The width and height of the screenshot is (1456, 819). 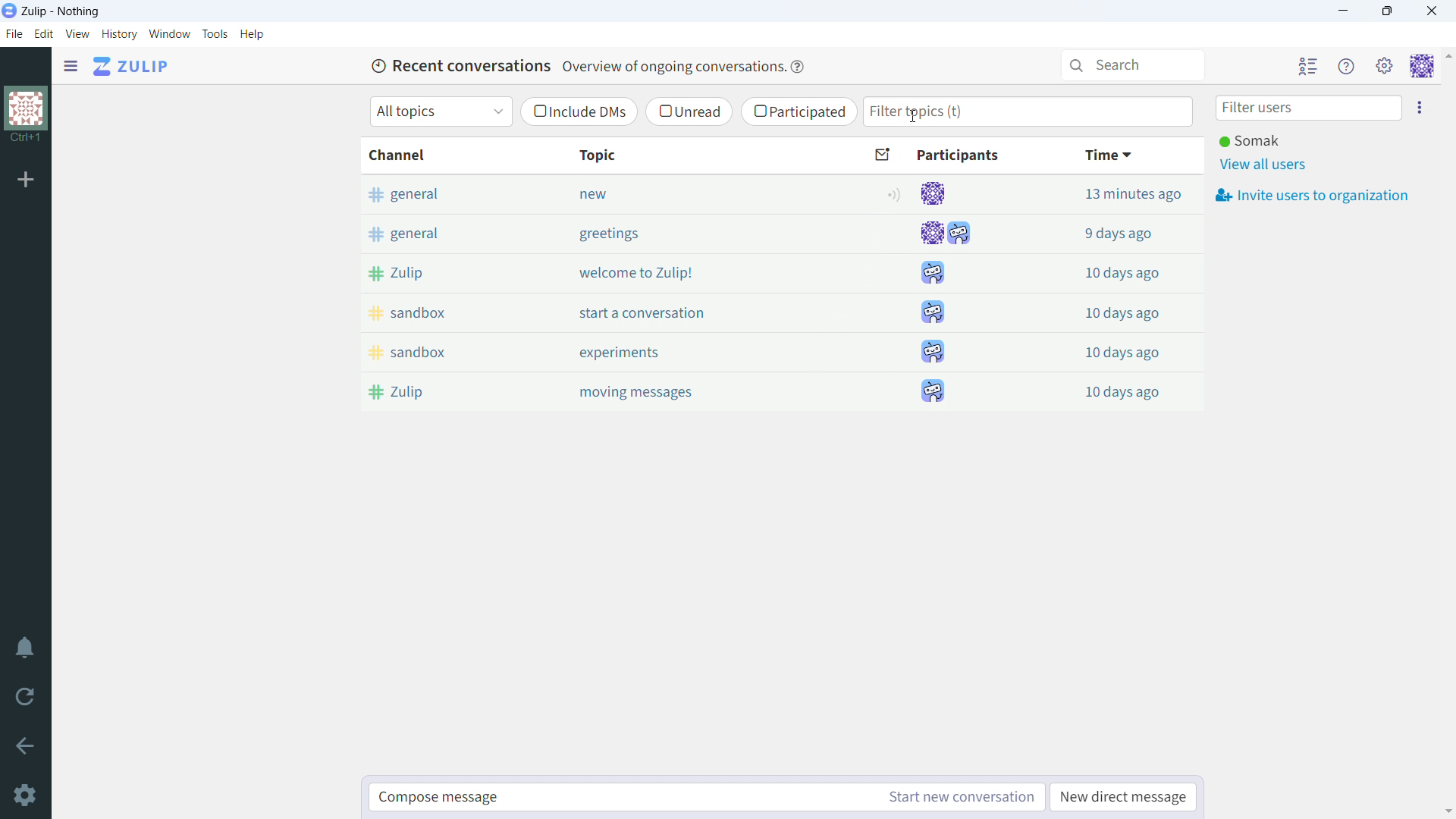 I want to click on go to home view, so click(x=131, y=67).